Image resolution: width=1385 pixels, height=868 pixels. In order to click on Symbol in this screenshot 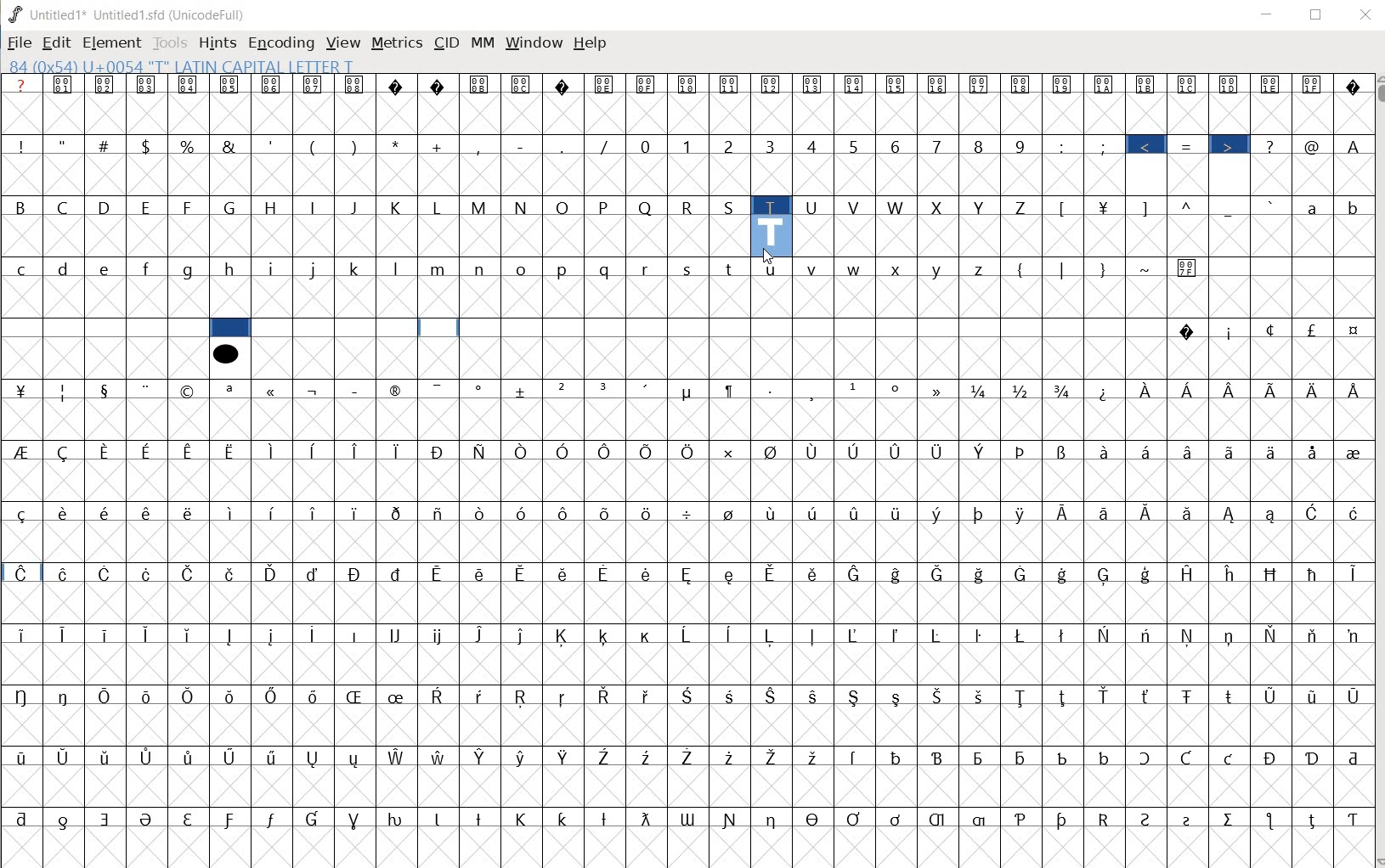, I will do `click(897, 573)`.